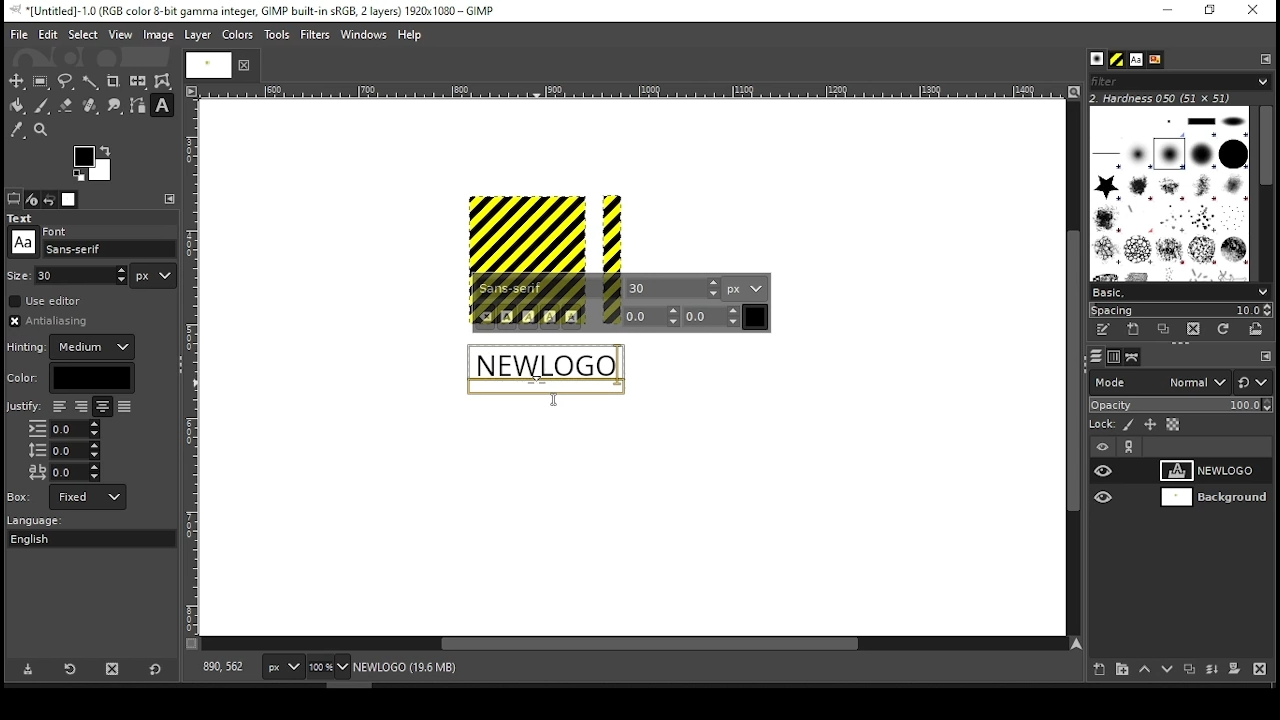 The image size is (1280, 720). What do you see at coordinates (1097, 60) in the screenshot?
I see `brushes` at bounding box center [1097, 60].